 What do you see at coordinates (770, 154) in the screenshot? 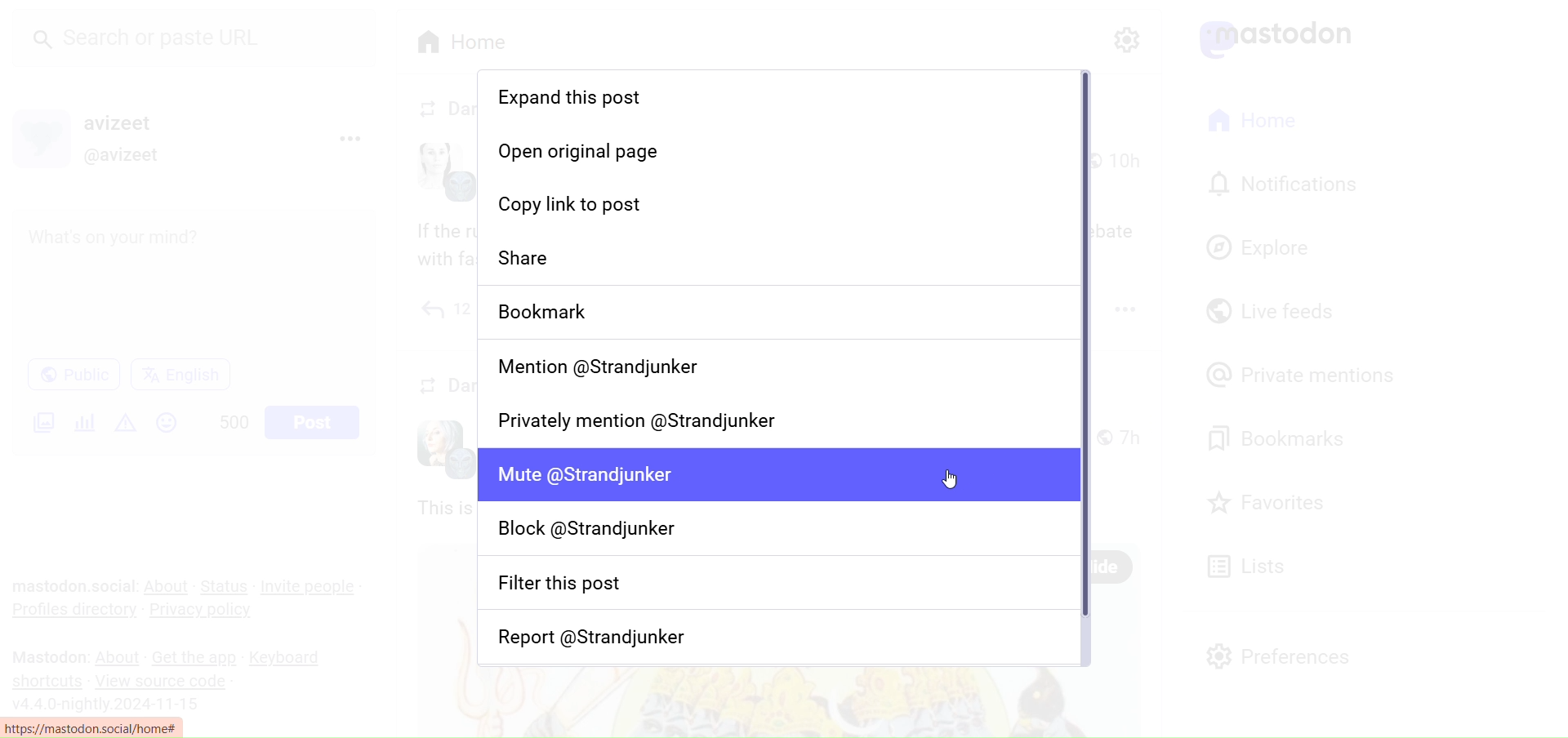
I see `Open original Page` at bounding box center [770, 154].